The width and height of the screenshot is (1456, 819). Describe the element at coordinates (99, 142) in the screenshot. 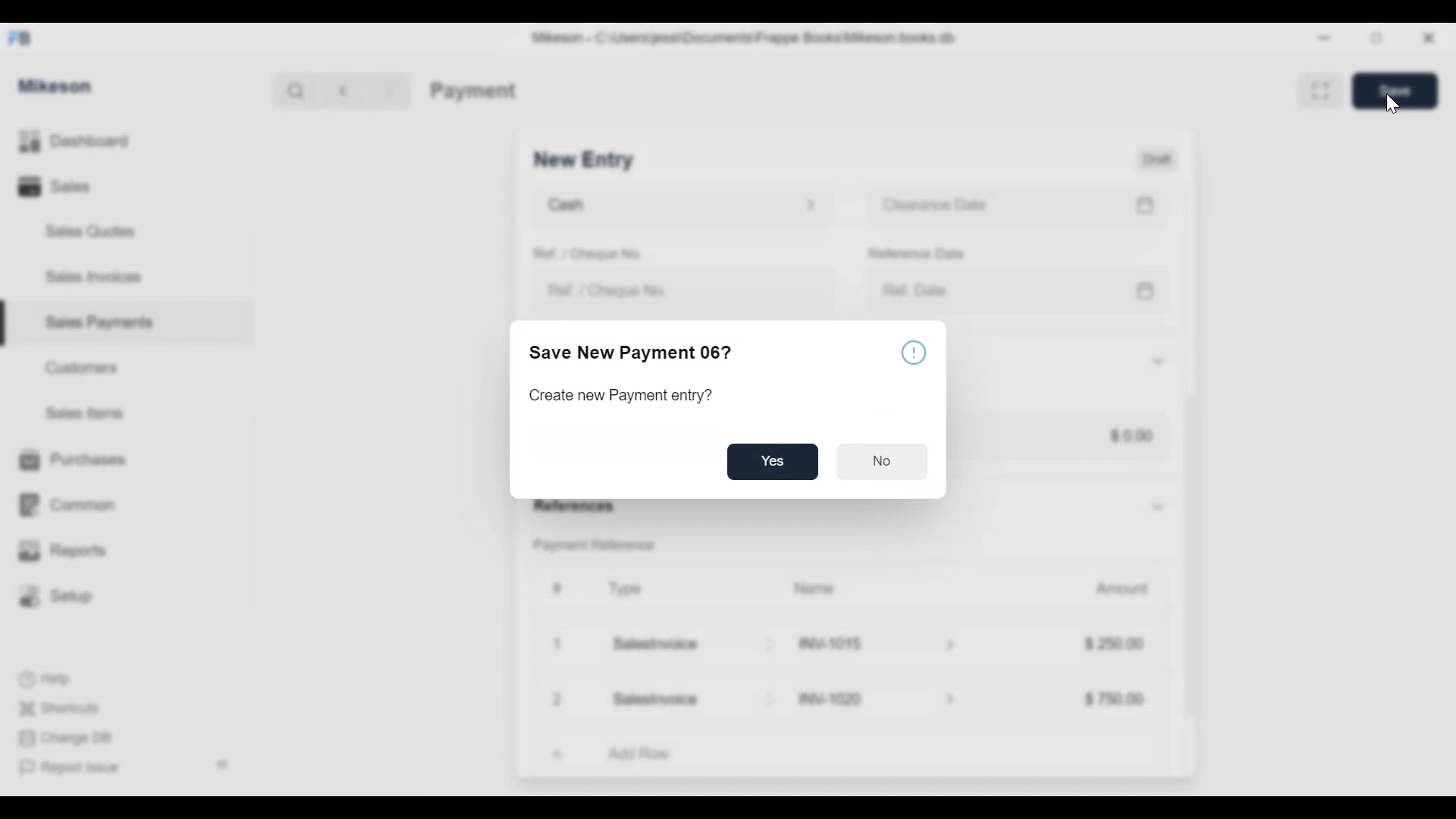

I see `Dashboard` at that location.